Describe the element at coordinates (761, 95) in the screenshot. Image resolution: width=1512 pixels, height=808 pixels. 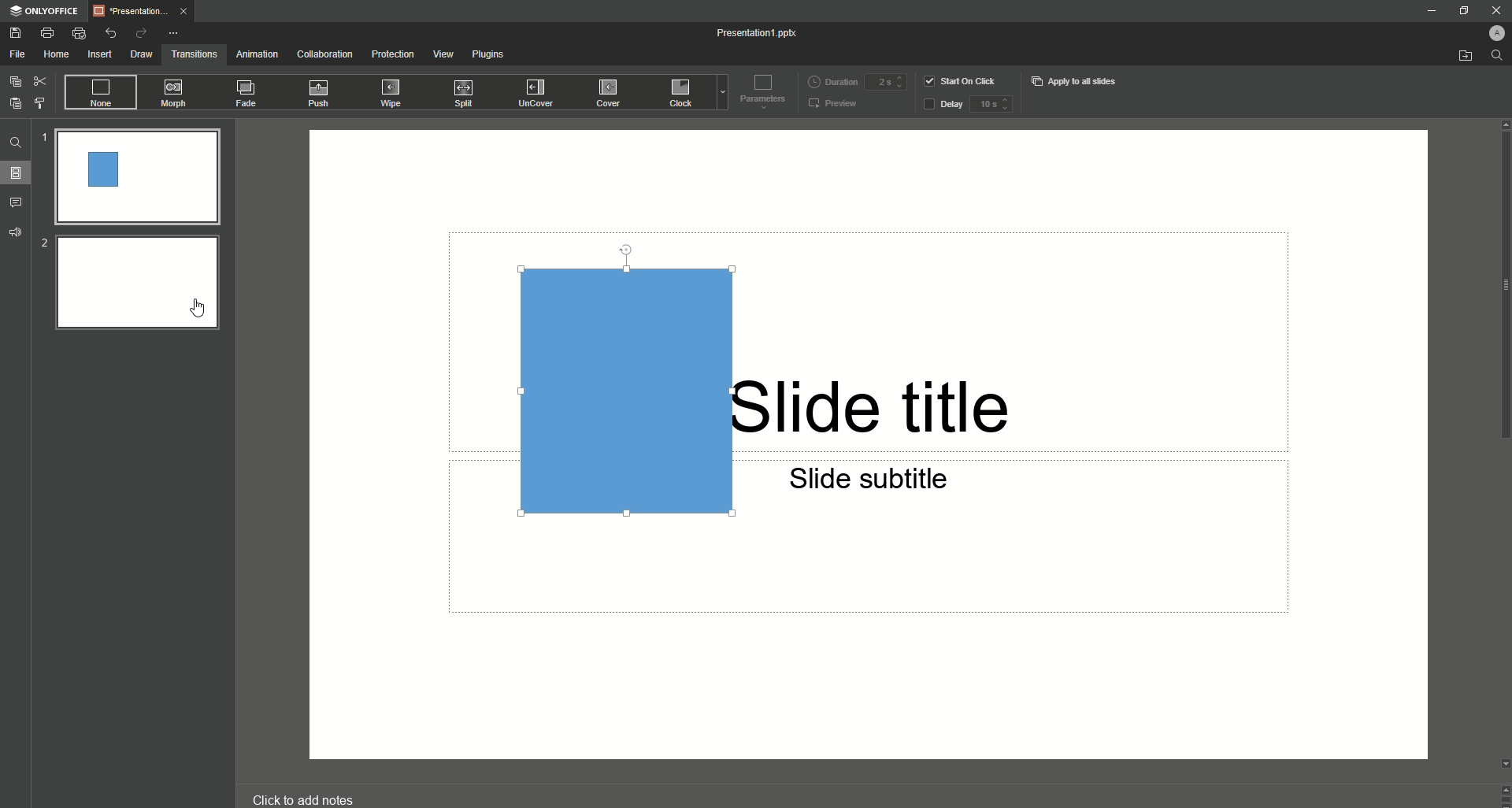
I see `Parameters` at that location.